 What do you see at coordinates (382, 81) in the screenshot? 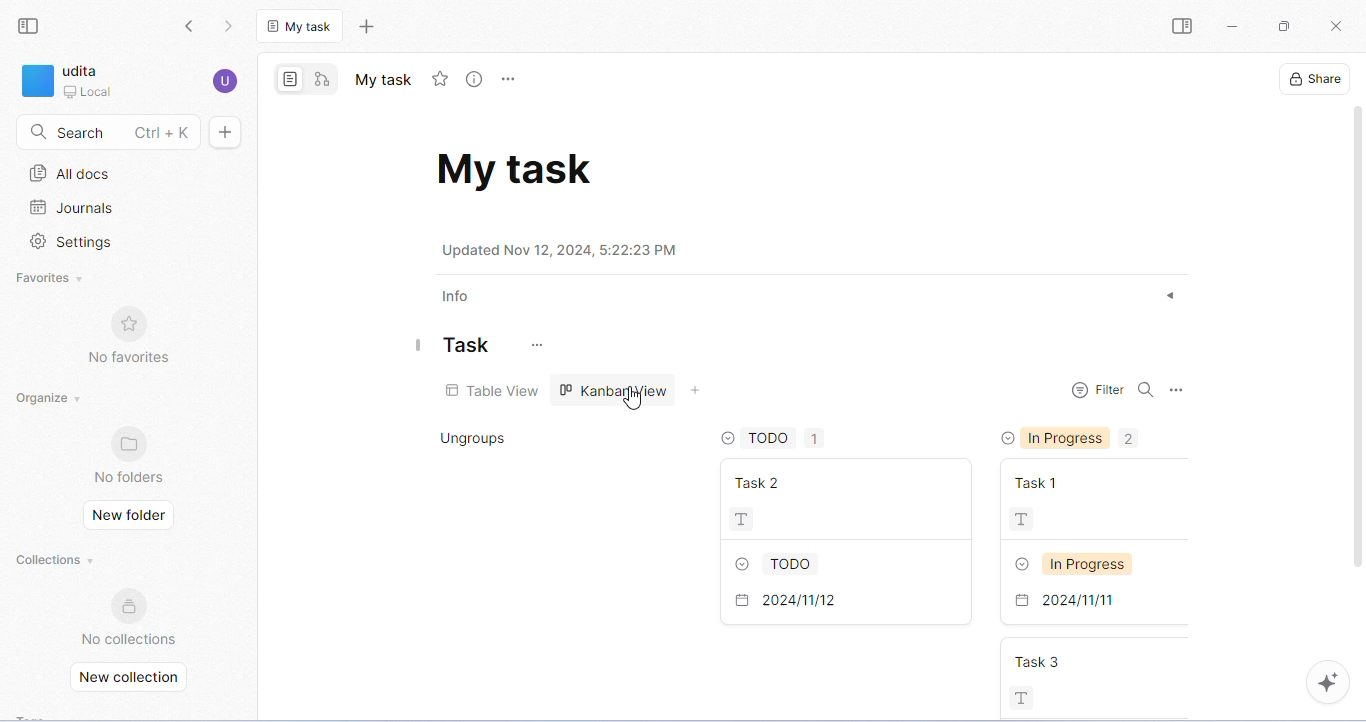
I see `my task` at bounding box center [382, 81].